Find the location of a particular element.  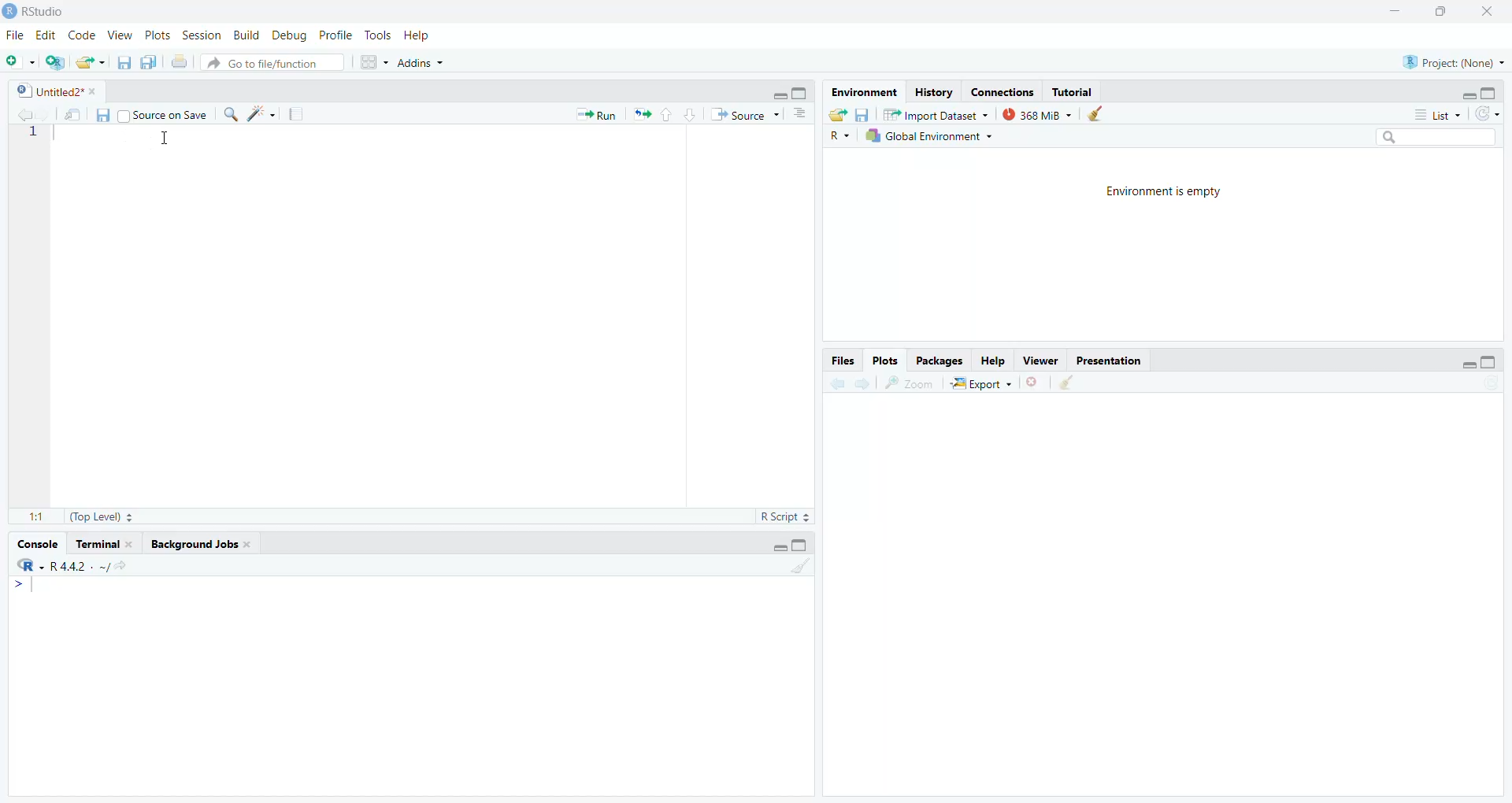

Console is located at coordinates (35, 542).